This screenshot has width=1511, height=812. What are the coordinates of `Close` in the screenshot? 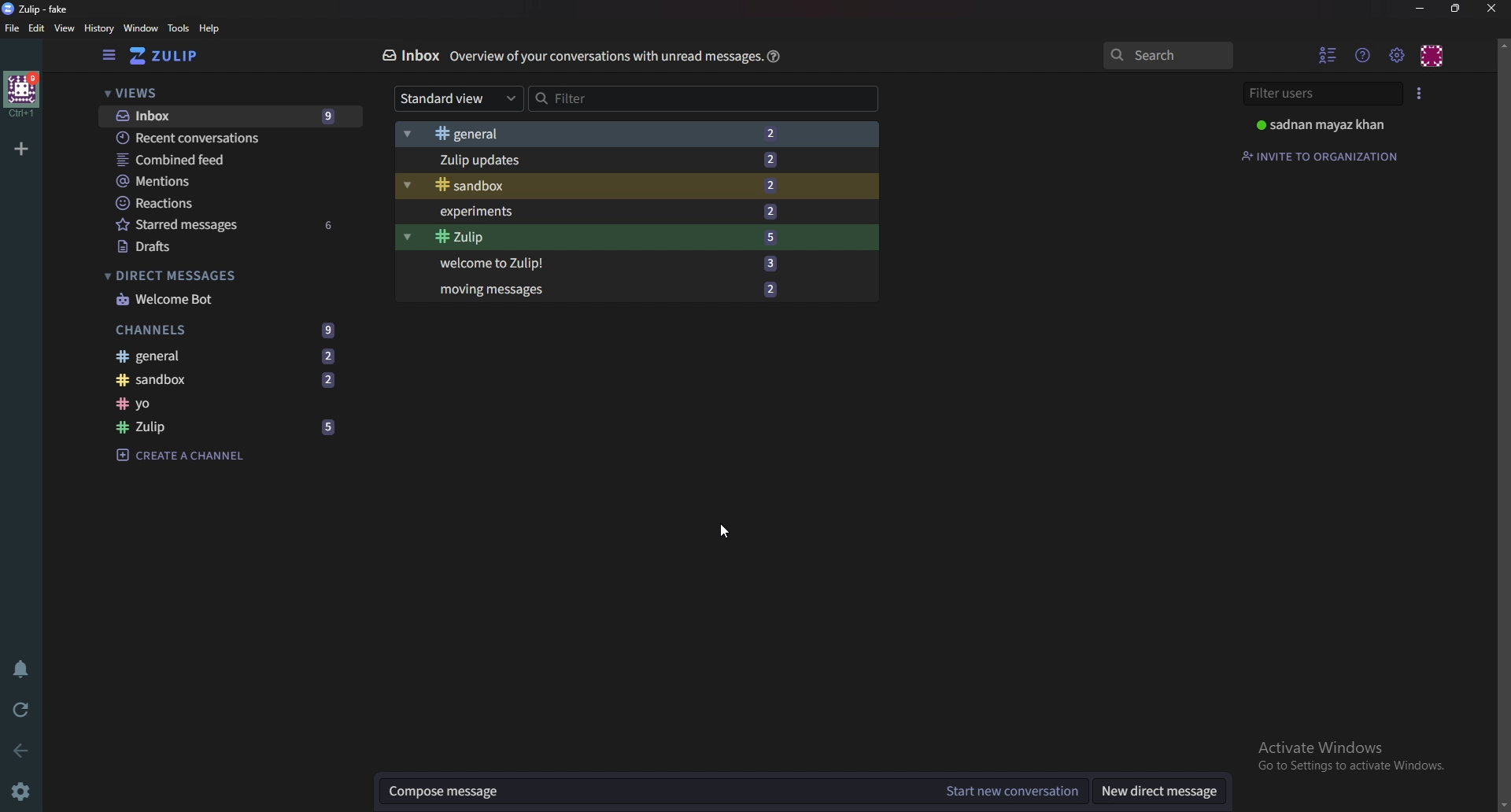 It's located at (1492, 9).